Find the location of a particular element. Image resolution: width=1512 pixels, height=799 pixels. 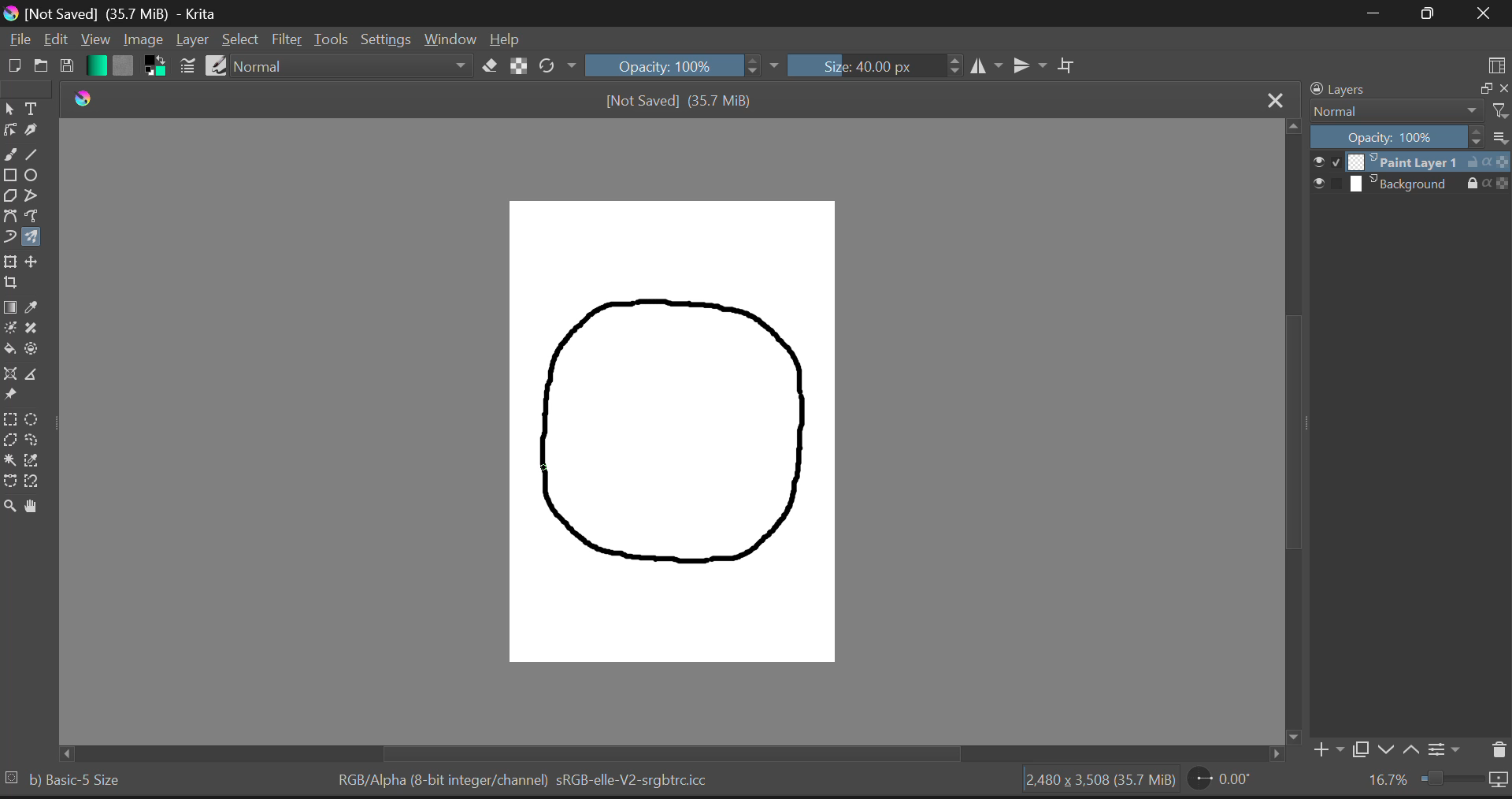

Help is located at coordinates (506, 41).